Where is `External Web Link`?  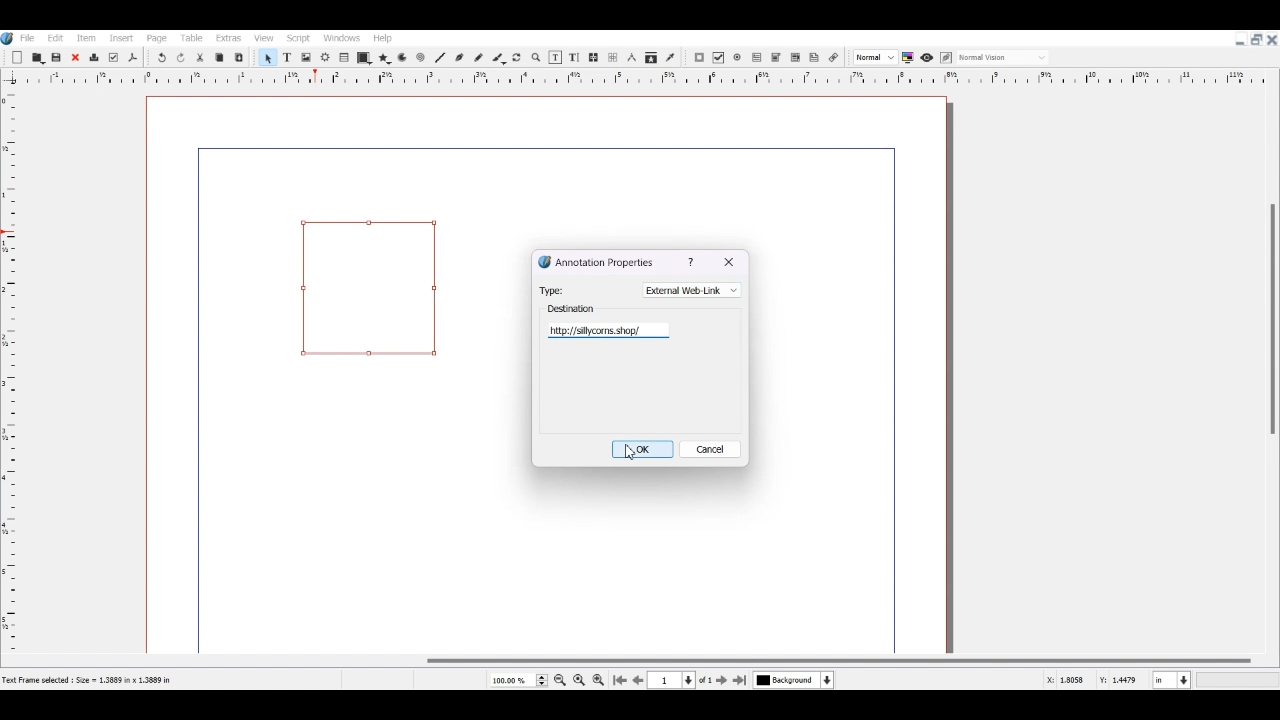
External Web Link is located at coordinates (692, 290).